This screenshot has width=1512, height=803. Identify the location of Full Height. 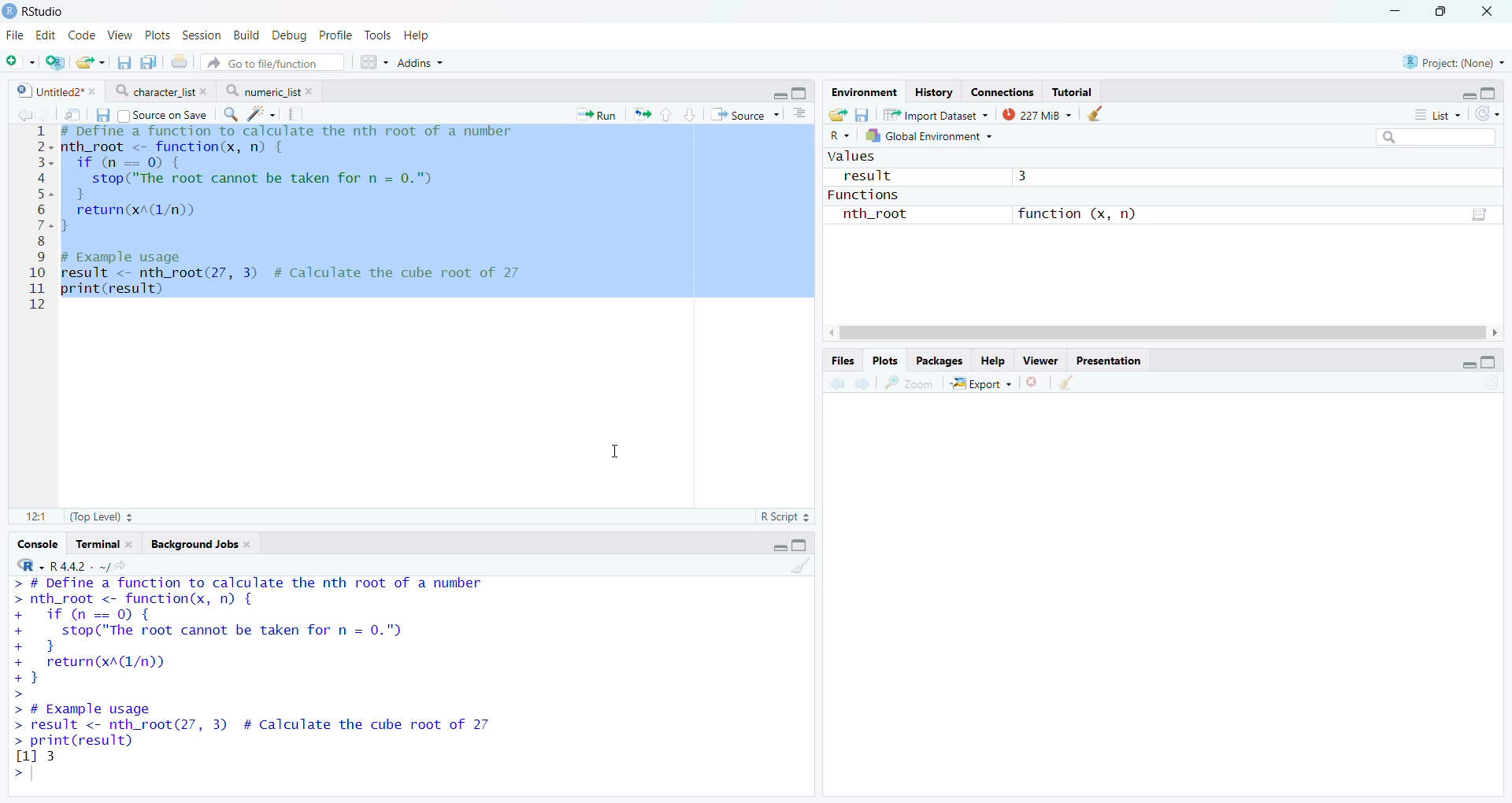
(1490, 91).